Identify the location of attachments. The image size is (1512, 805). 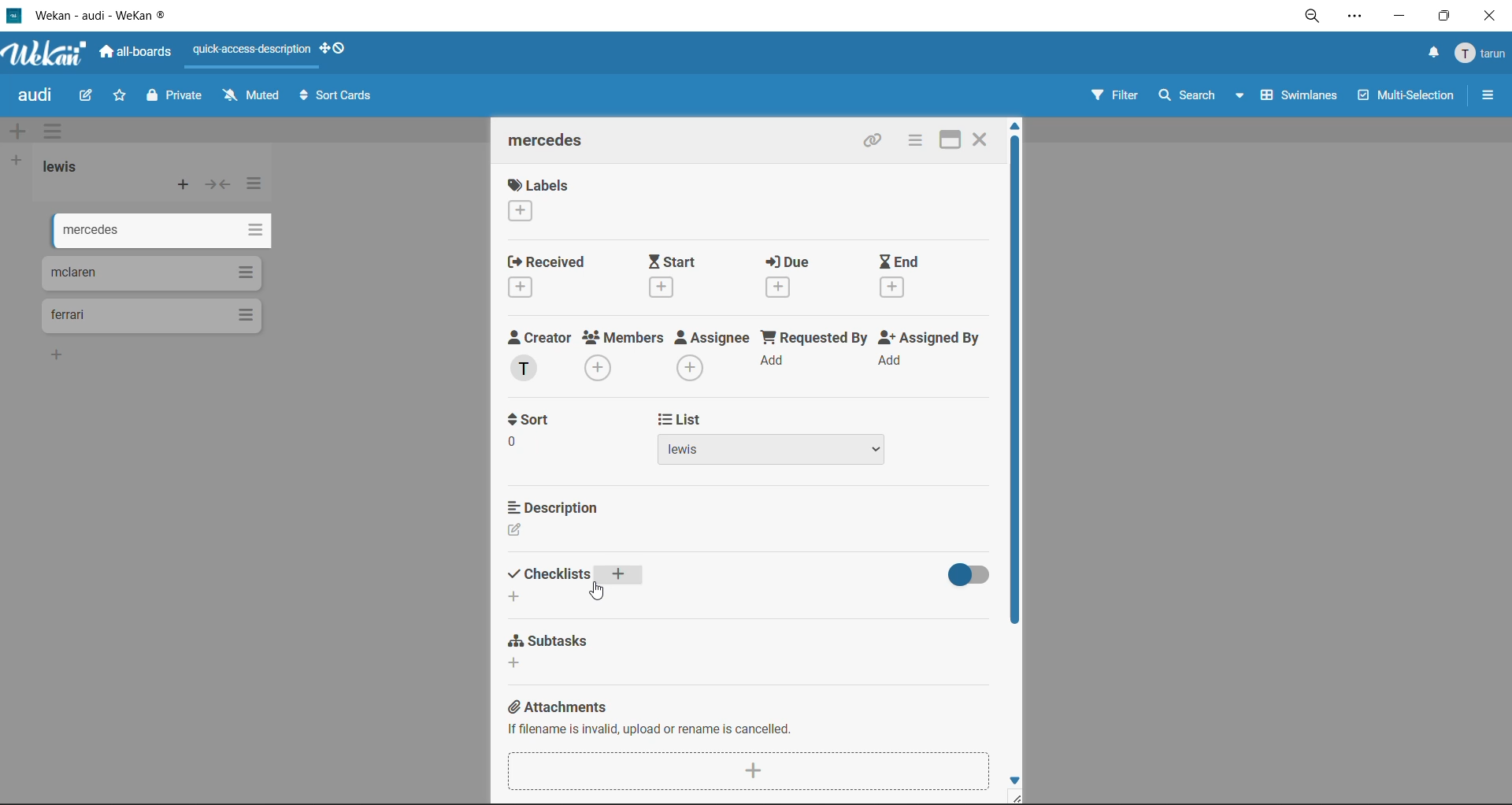
(742, 720).